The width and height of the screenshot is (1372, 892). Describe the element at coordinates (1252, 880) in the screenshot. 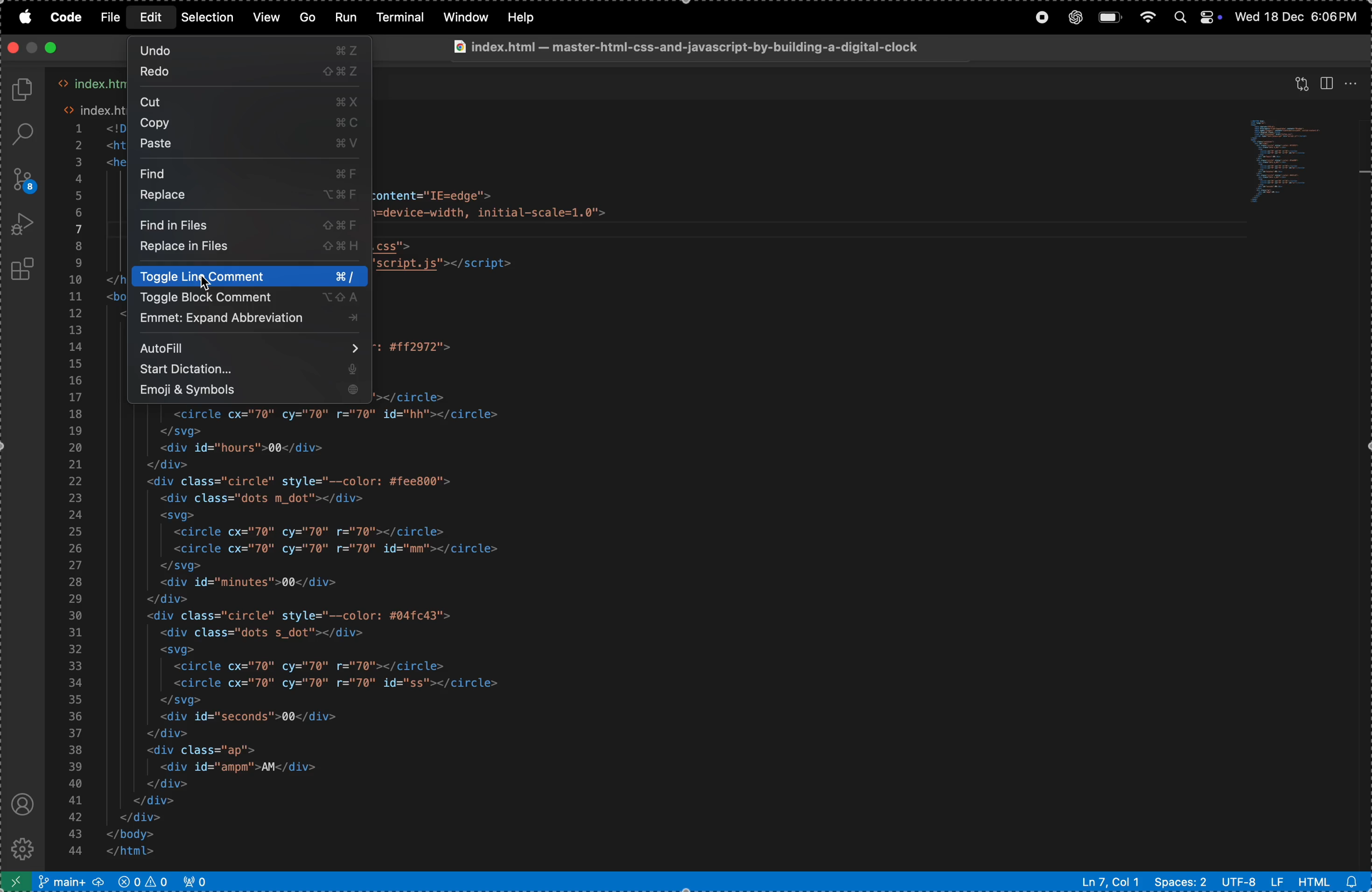

I see `utf -8 lf` at that location.